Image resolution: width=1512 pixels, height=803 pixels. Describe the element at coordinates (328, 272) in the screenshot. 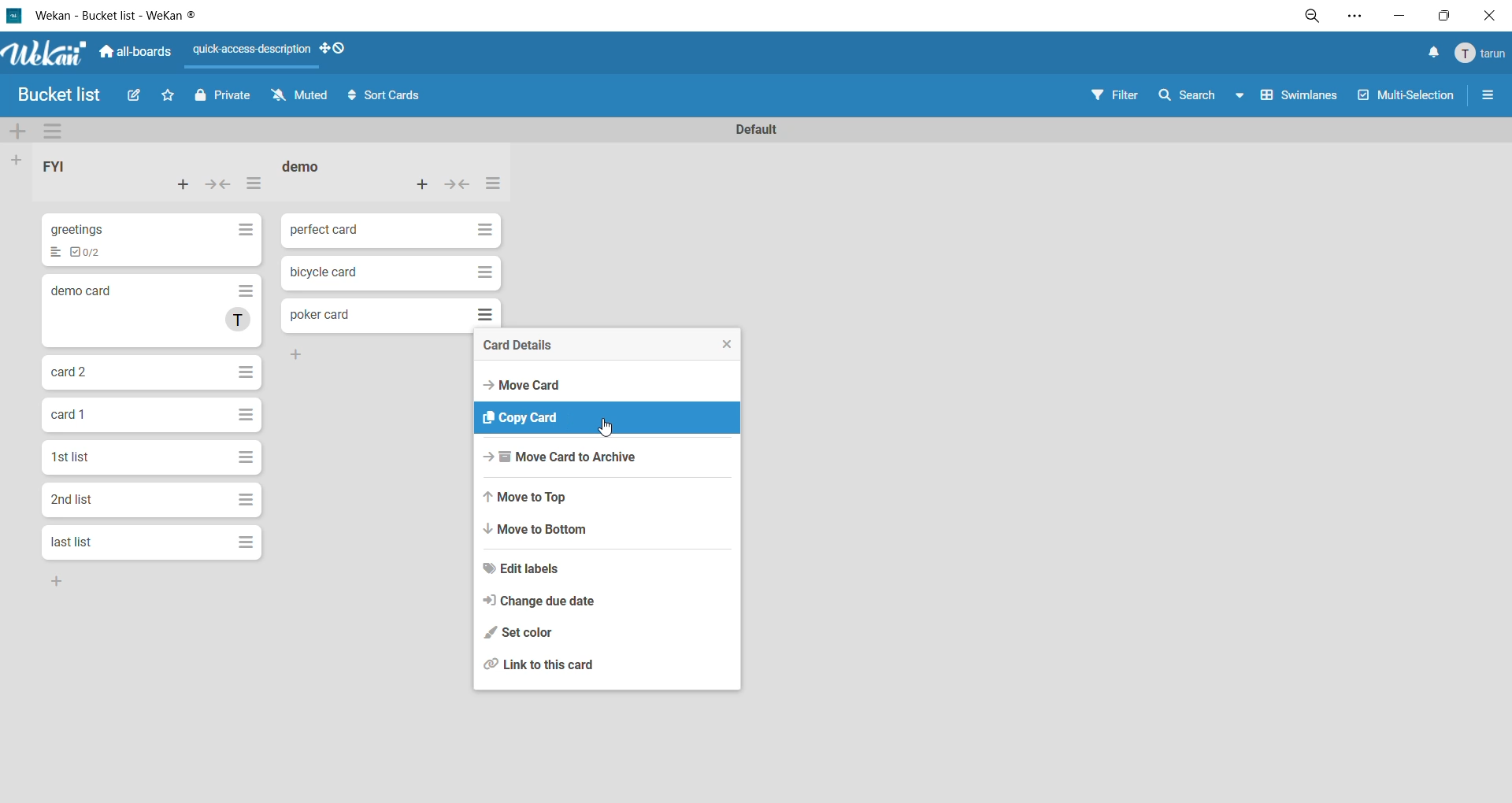

I see `bicycle card` at that location.